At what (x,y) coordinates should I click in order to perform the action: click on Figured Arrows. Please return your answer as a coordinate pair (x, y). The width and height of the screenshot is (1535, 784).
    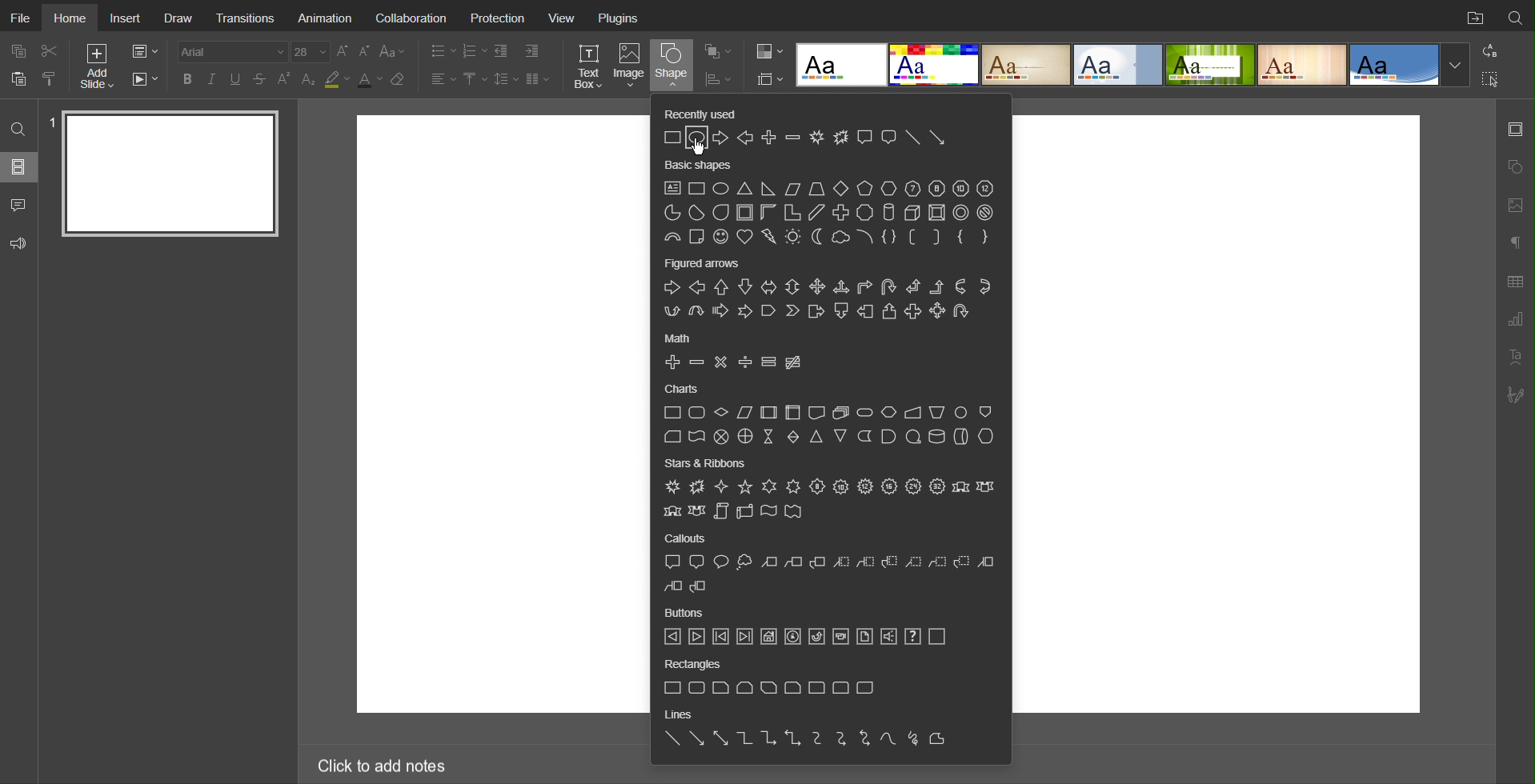
    Looking at the image, I should click on (831, 290).